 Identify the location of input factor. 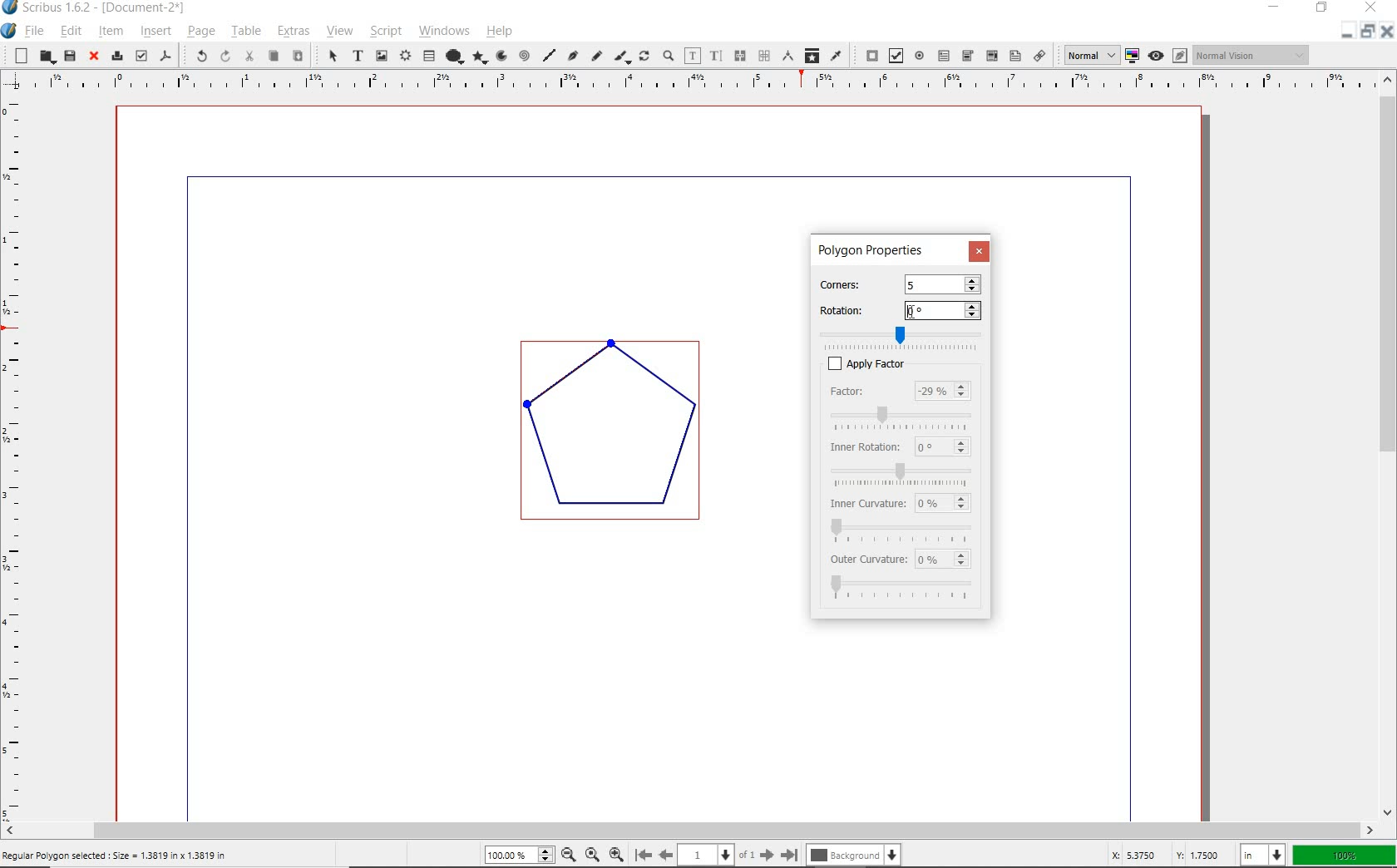
(944, 392).